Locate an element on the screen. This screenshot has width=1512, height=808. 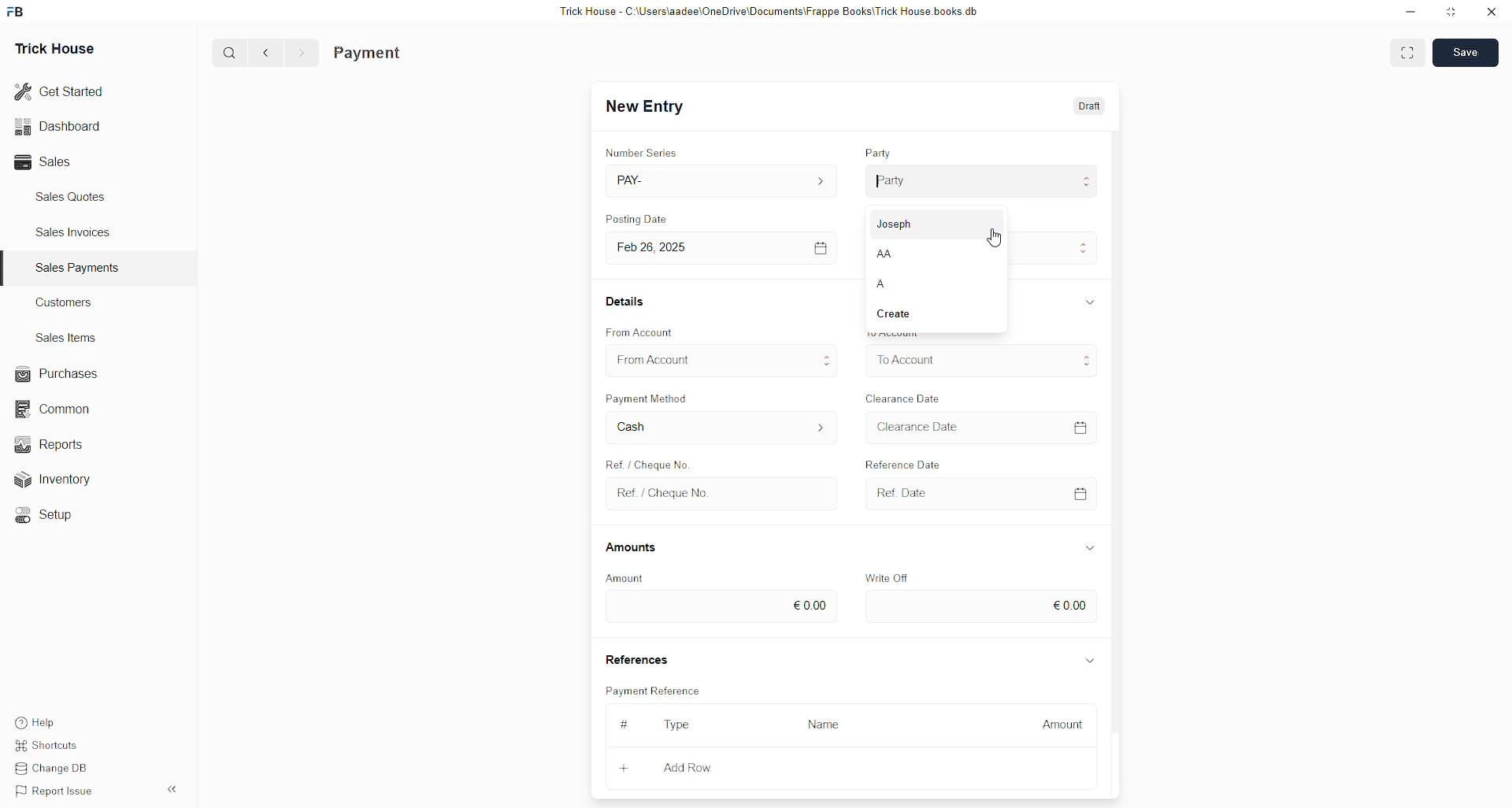
To Account is located at coordinates (981, 360).